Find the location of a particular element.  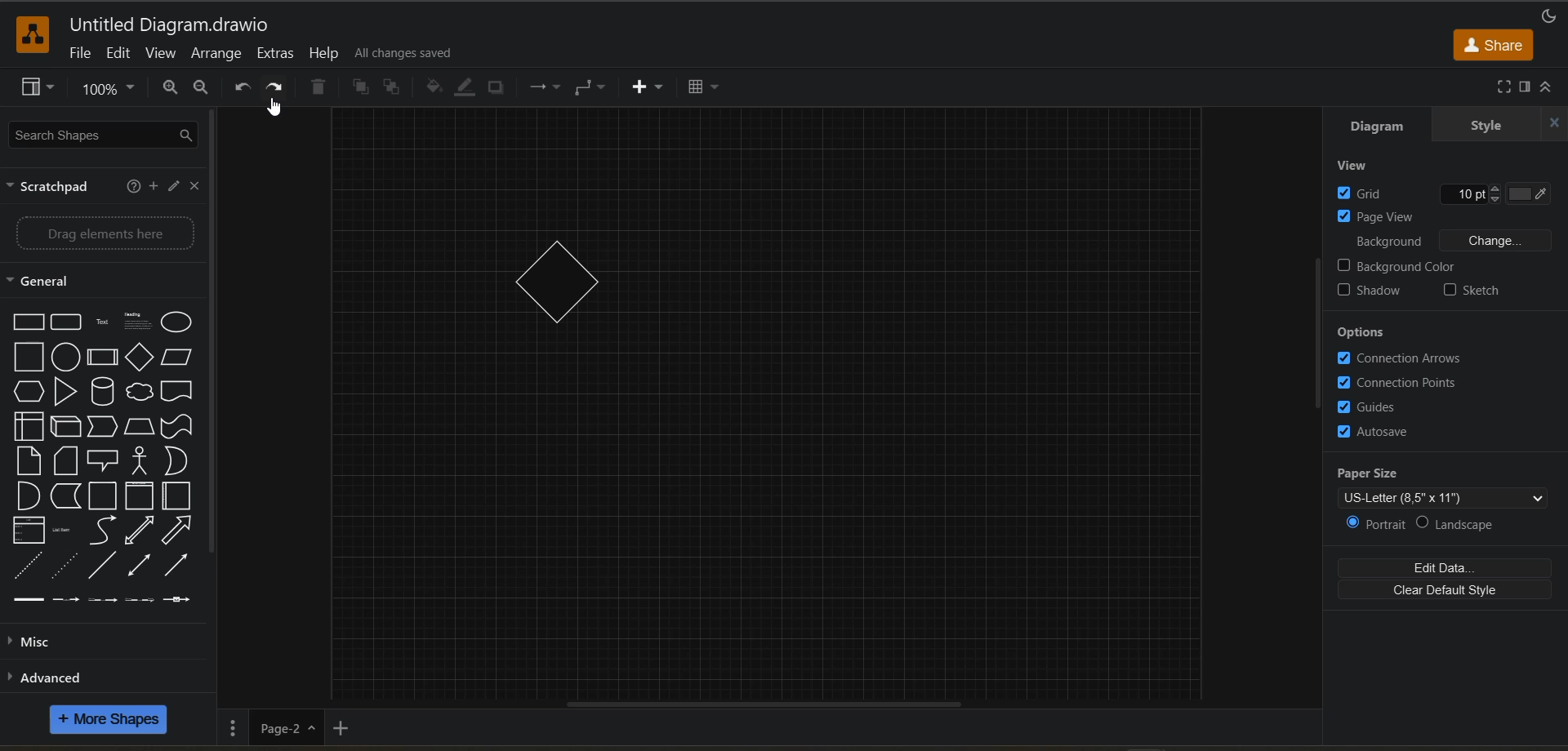

edit data is located at coordinates (1444, 566).